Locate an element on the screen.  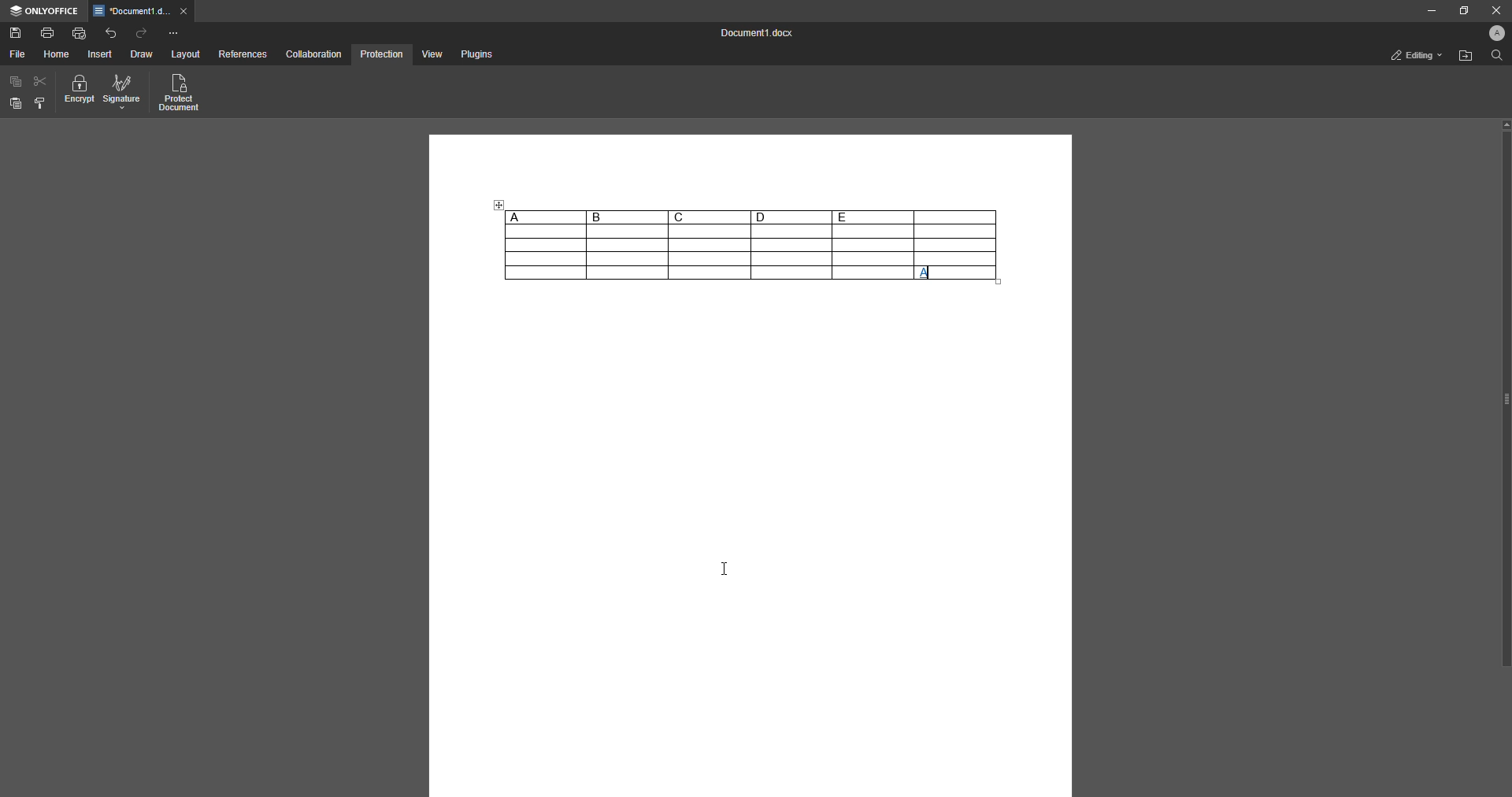
layout is located at coordinates (187, 55).